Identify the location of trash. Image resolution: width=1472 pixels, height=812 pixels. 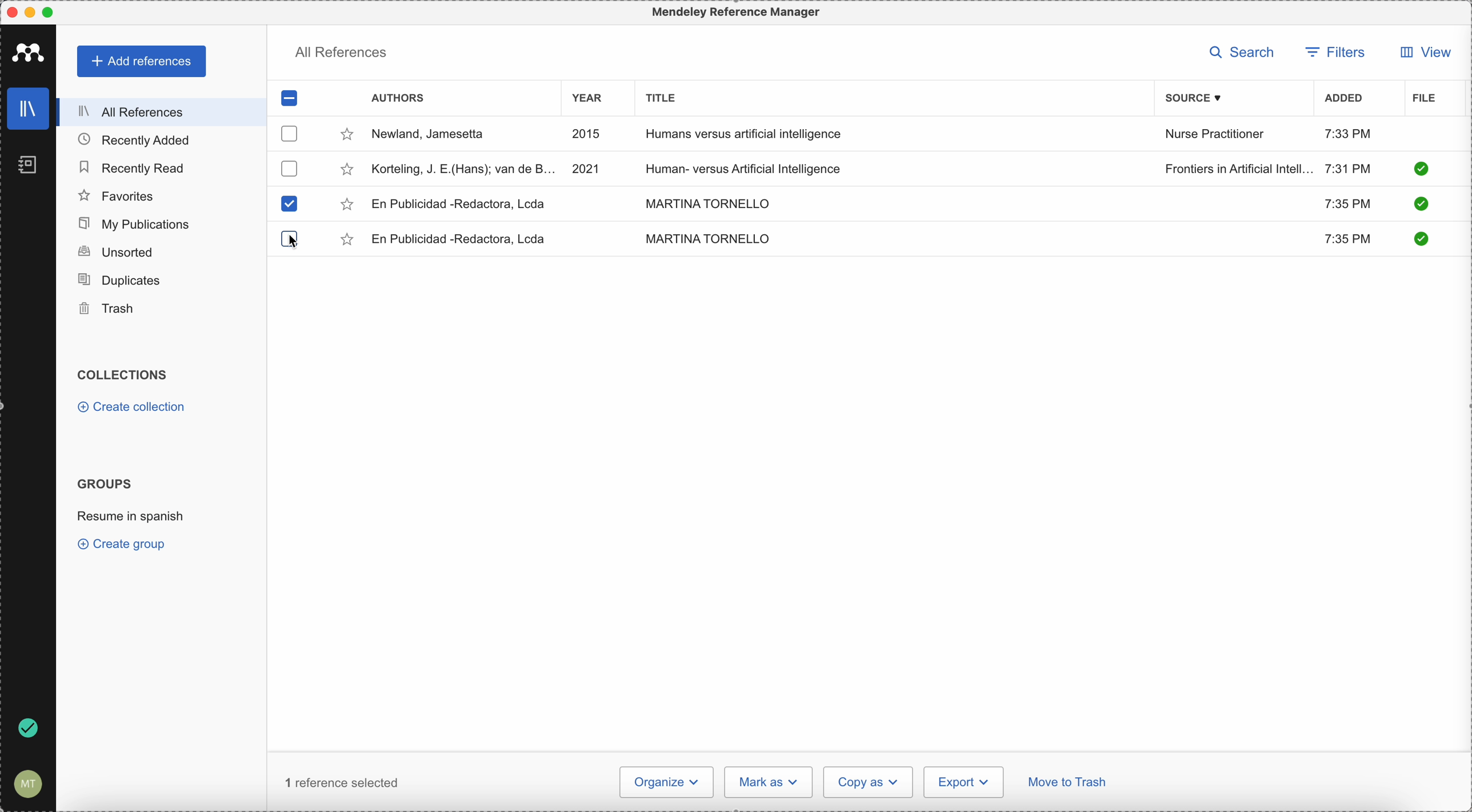
(109, 309).